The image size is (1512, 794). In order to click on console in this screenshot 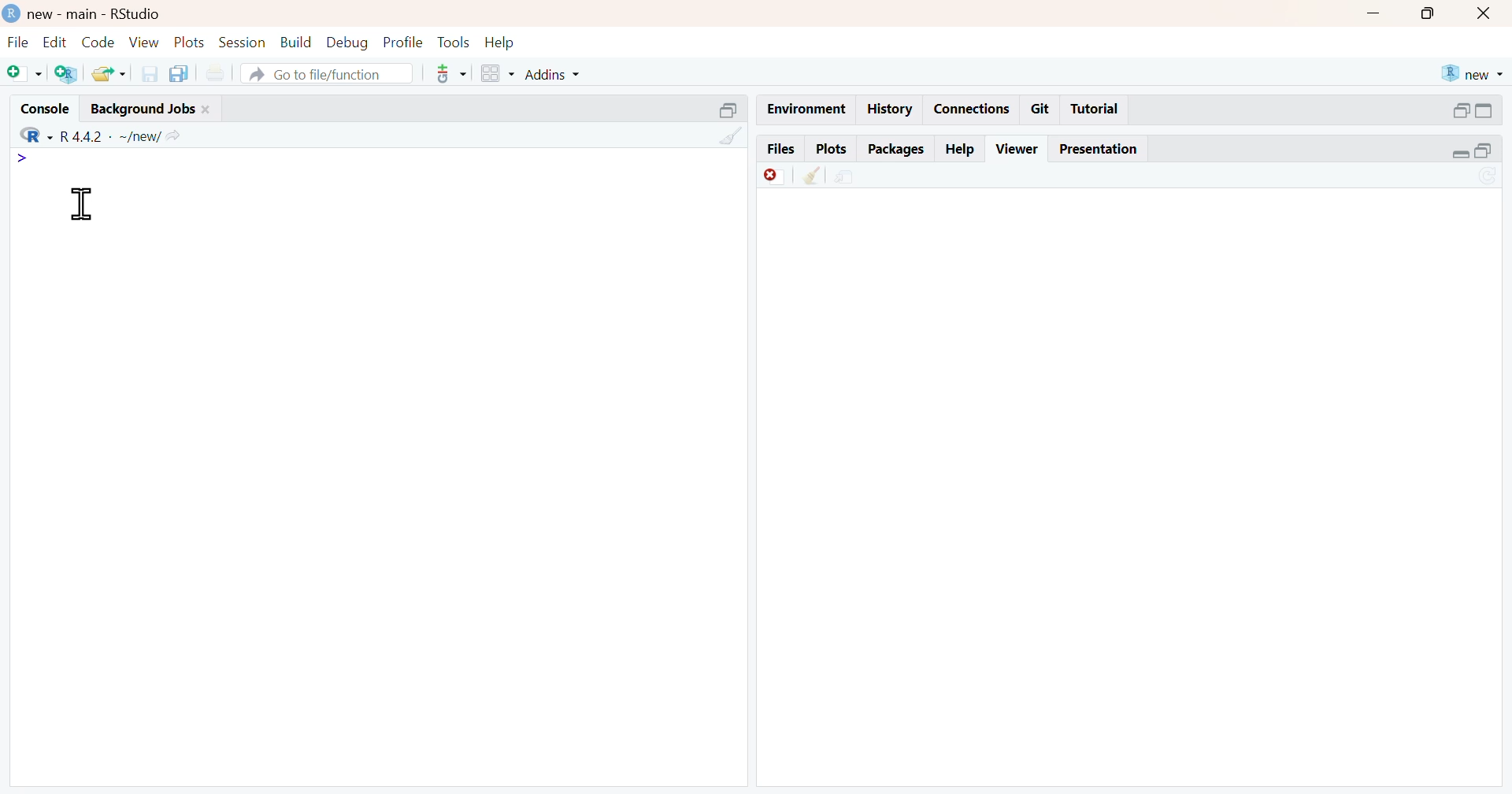, I will do `click(45, 106)`.